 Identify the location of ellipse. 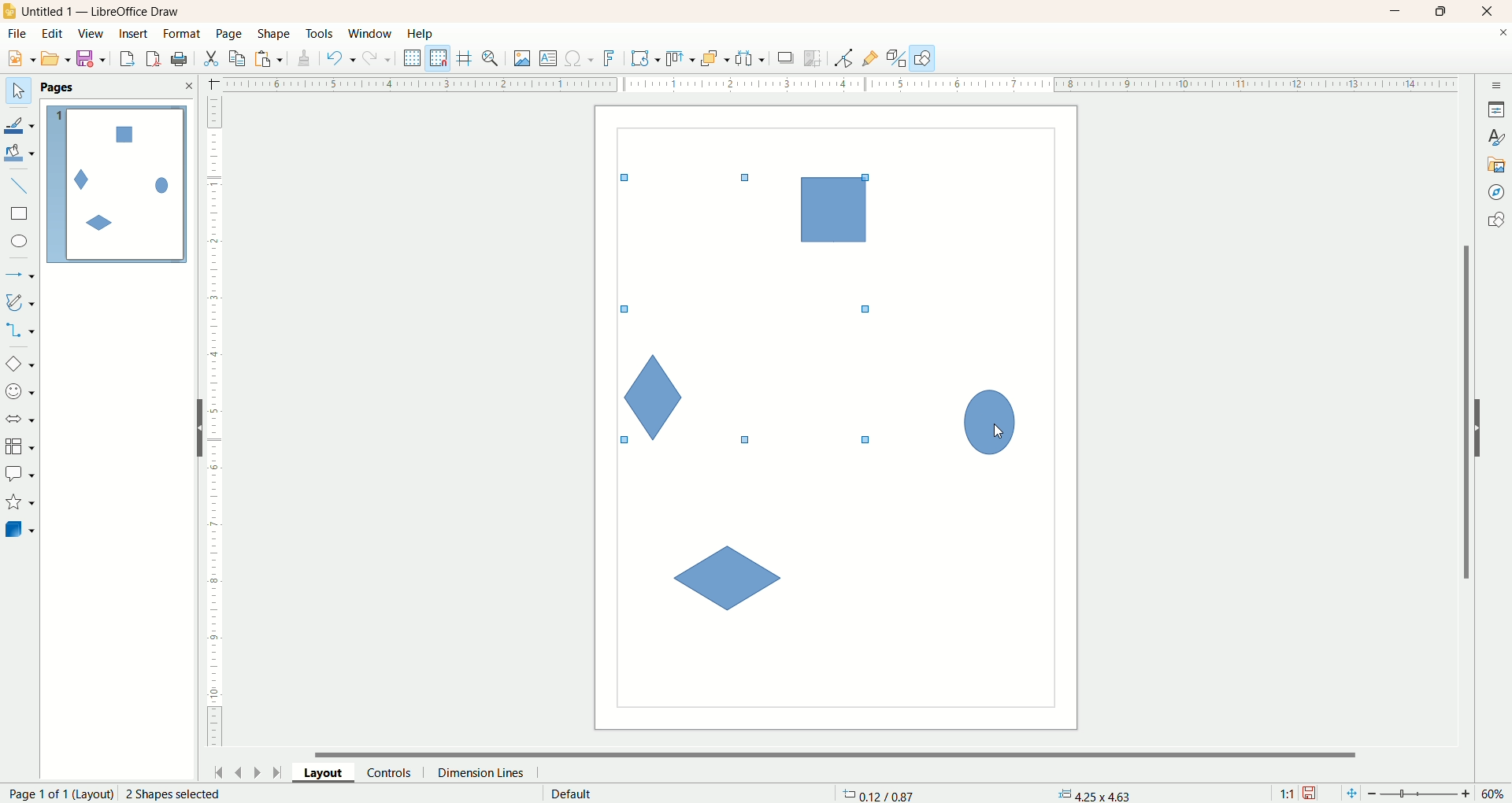
(21, 243).